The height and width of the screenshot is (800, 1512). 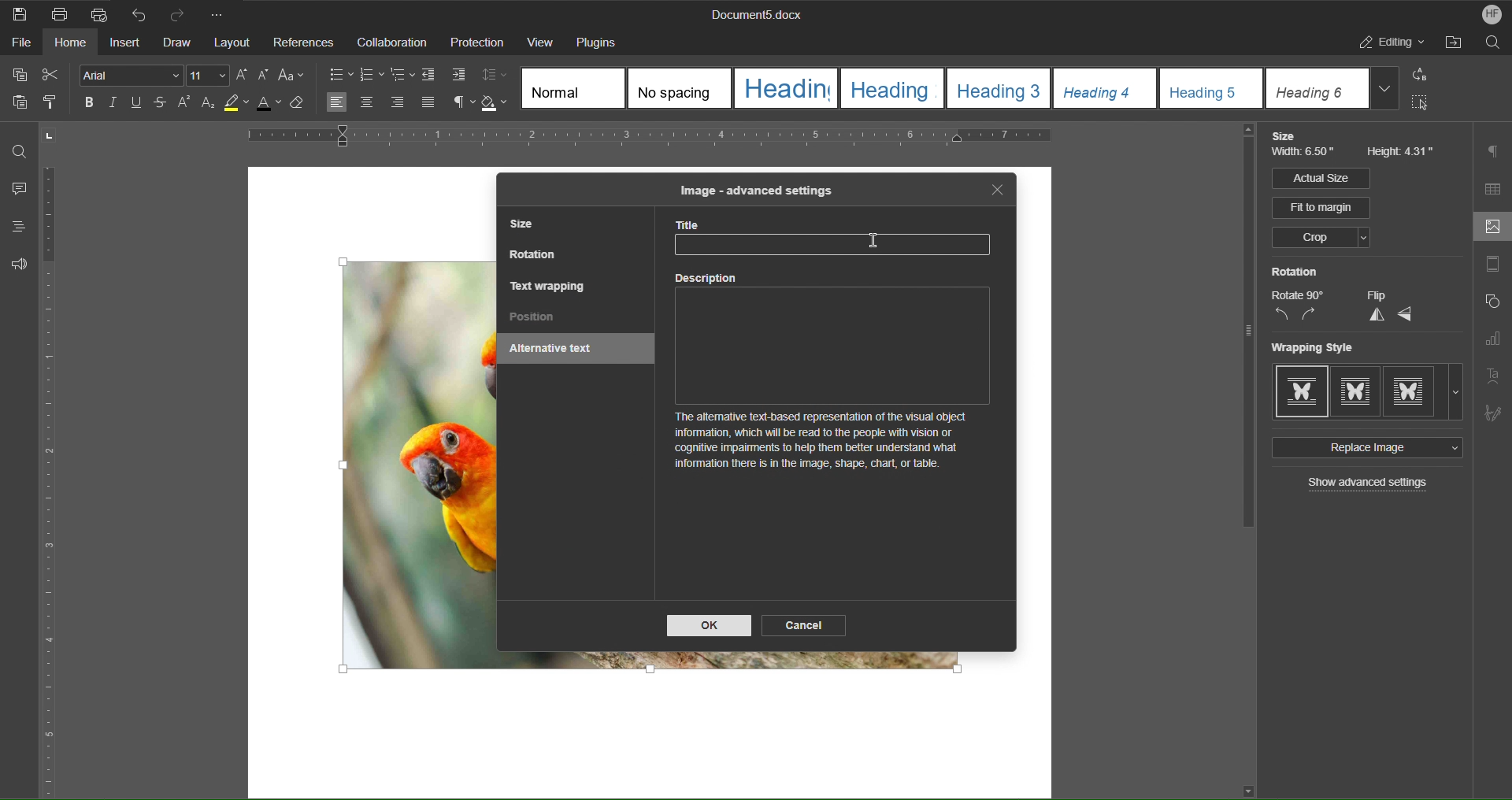 What do you see at coordinates (477, 43) in the screenshot?
I see `Protection` at bounding box center [477, 43].